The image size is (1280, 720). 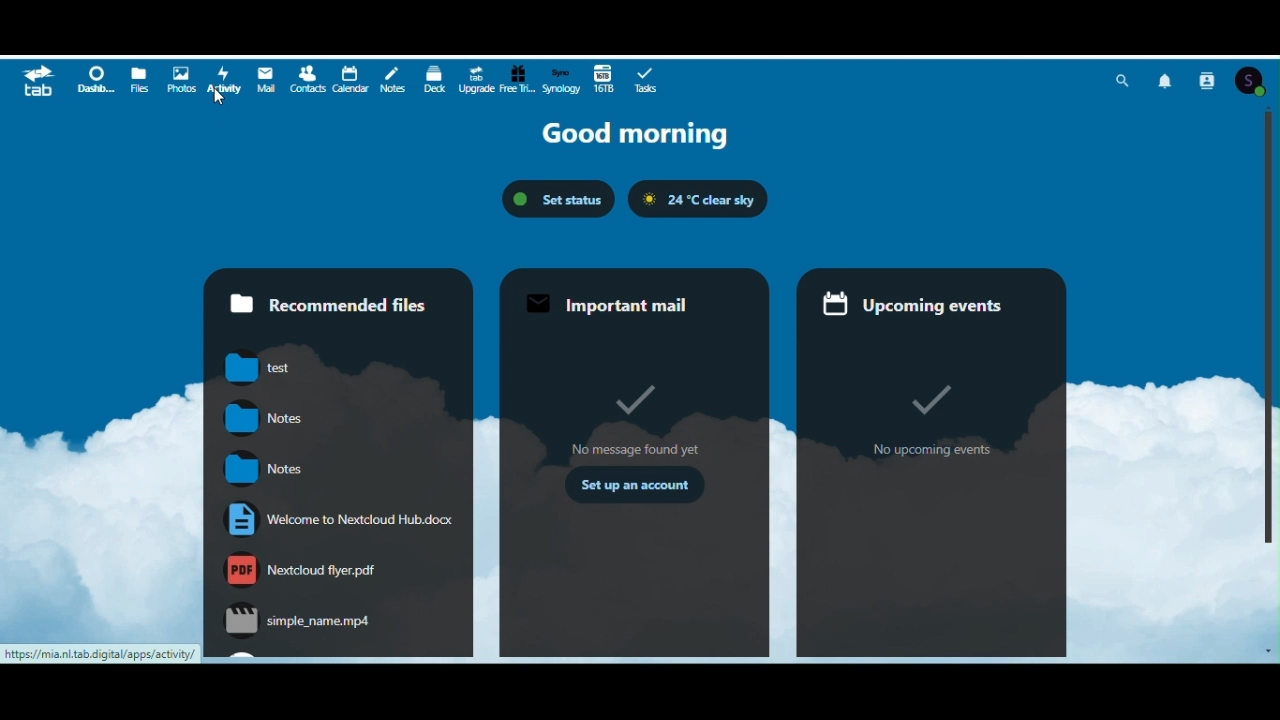 I want to click on Notifications, so click(x=1165, y=78).